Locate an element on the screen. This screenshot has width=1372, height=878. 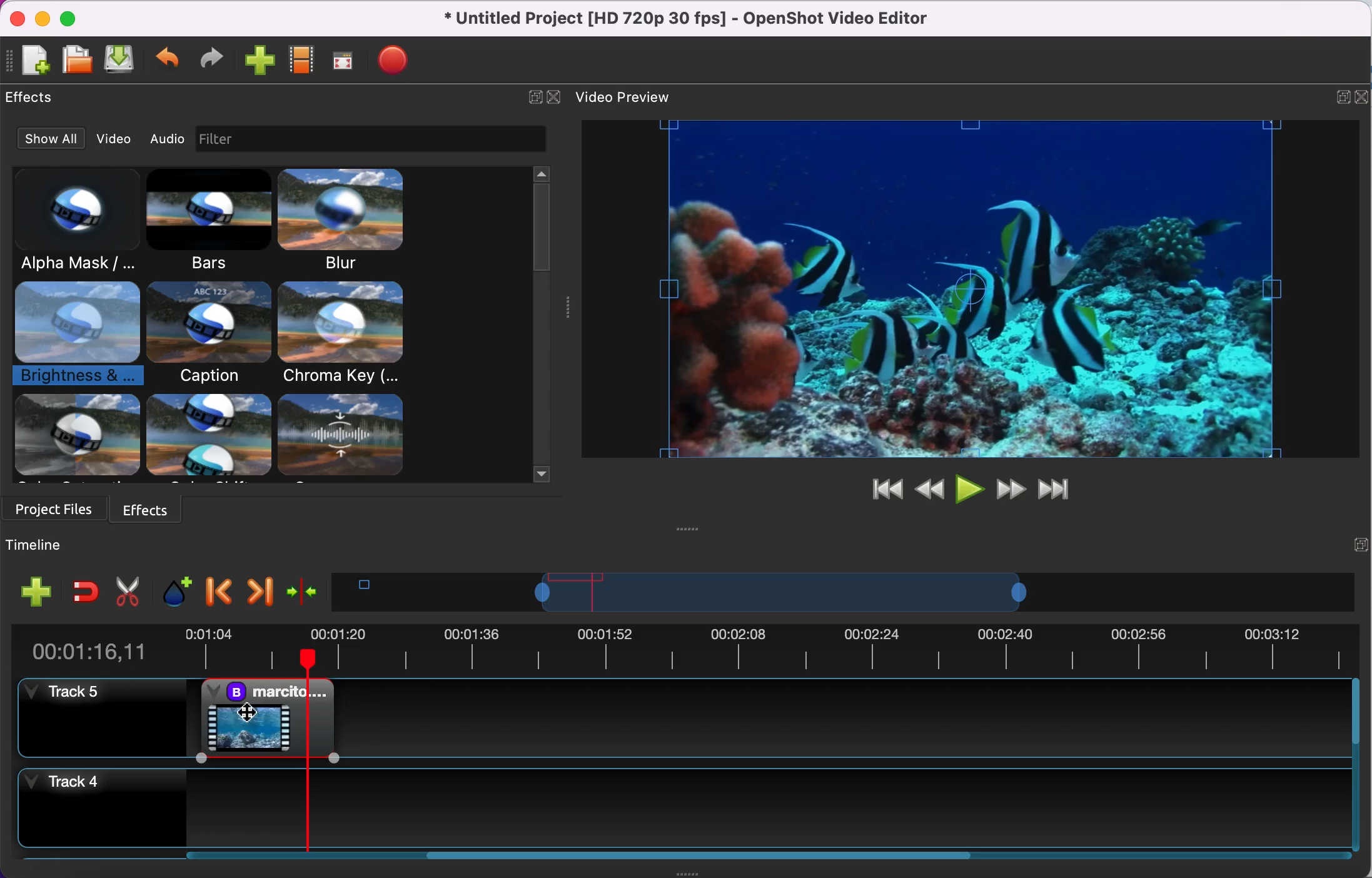
undo is located at coordinates (169, 59).